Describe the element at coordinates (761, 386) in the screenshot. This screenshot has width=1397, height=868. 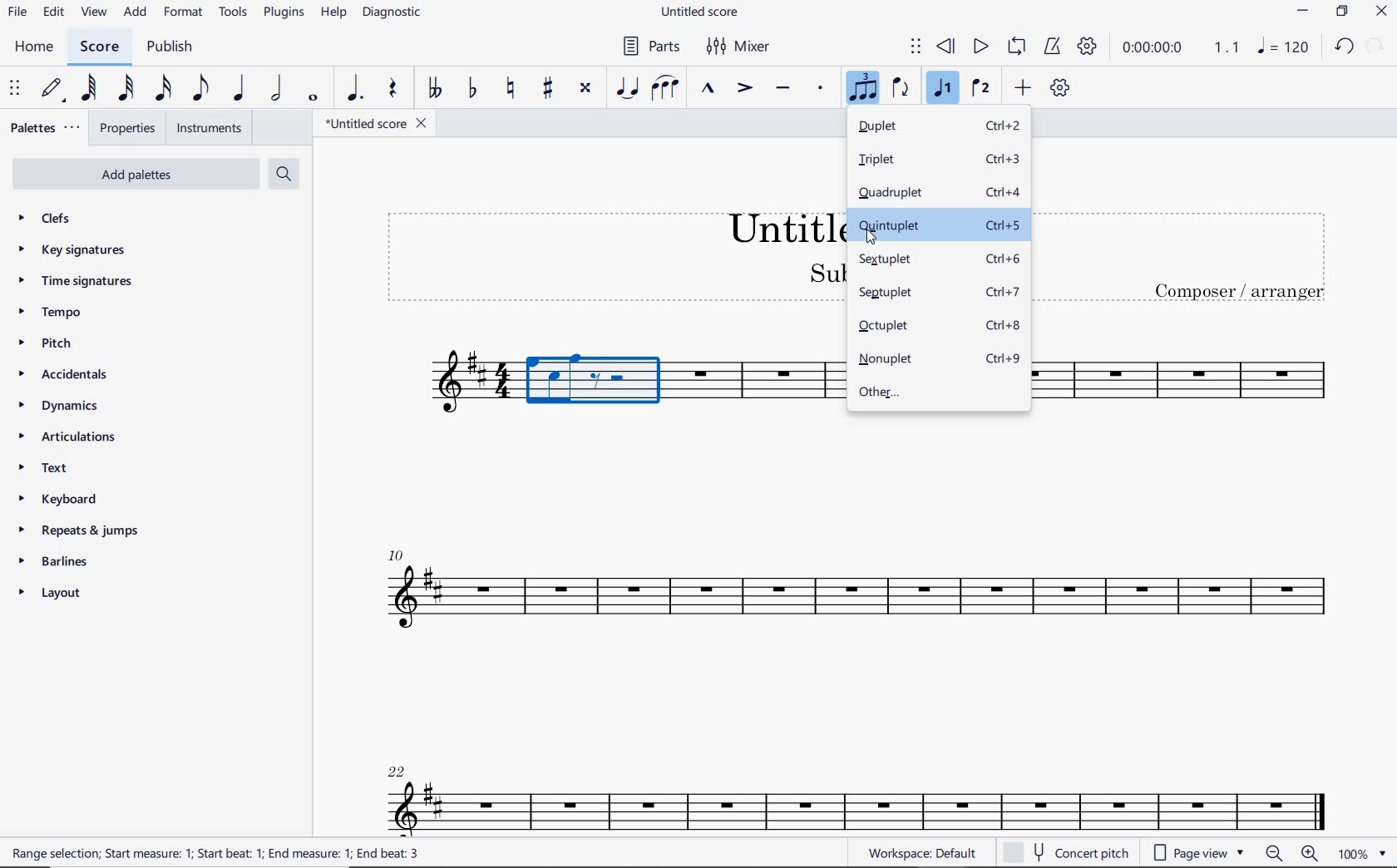
I see `INSTRUMENT: TENOR SAXOPHONE` at that location.